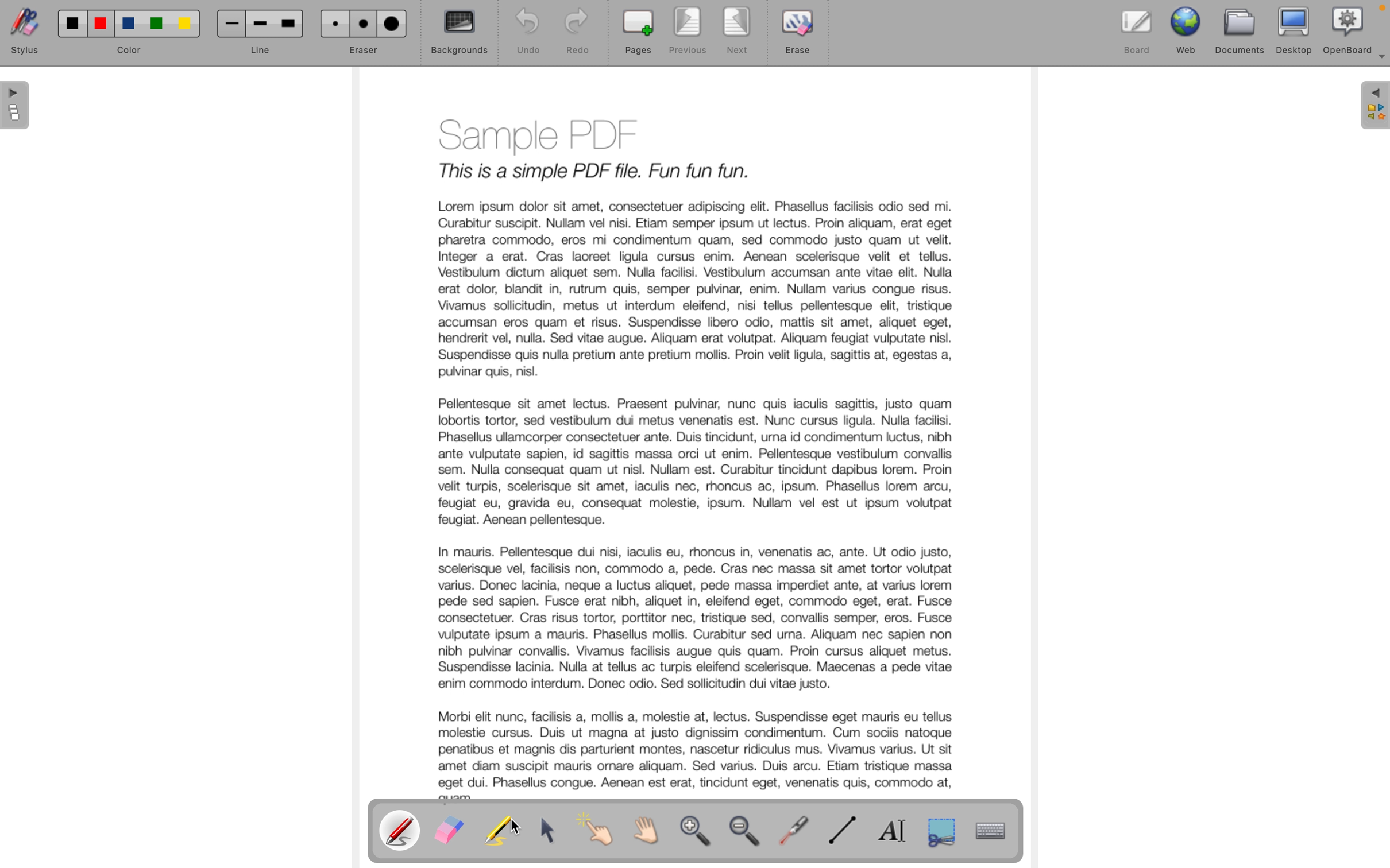 The height and width of the screenshot is (868, 1390). Describe the element at coordinates (123, 36) in the screenshot. I see `color` at that location.